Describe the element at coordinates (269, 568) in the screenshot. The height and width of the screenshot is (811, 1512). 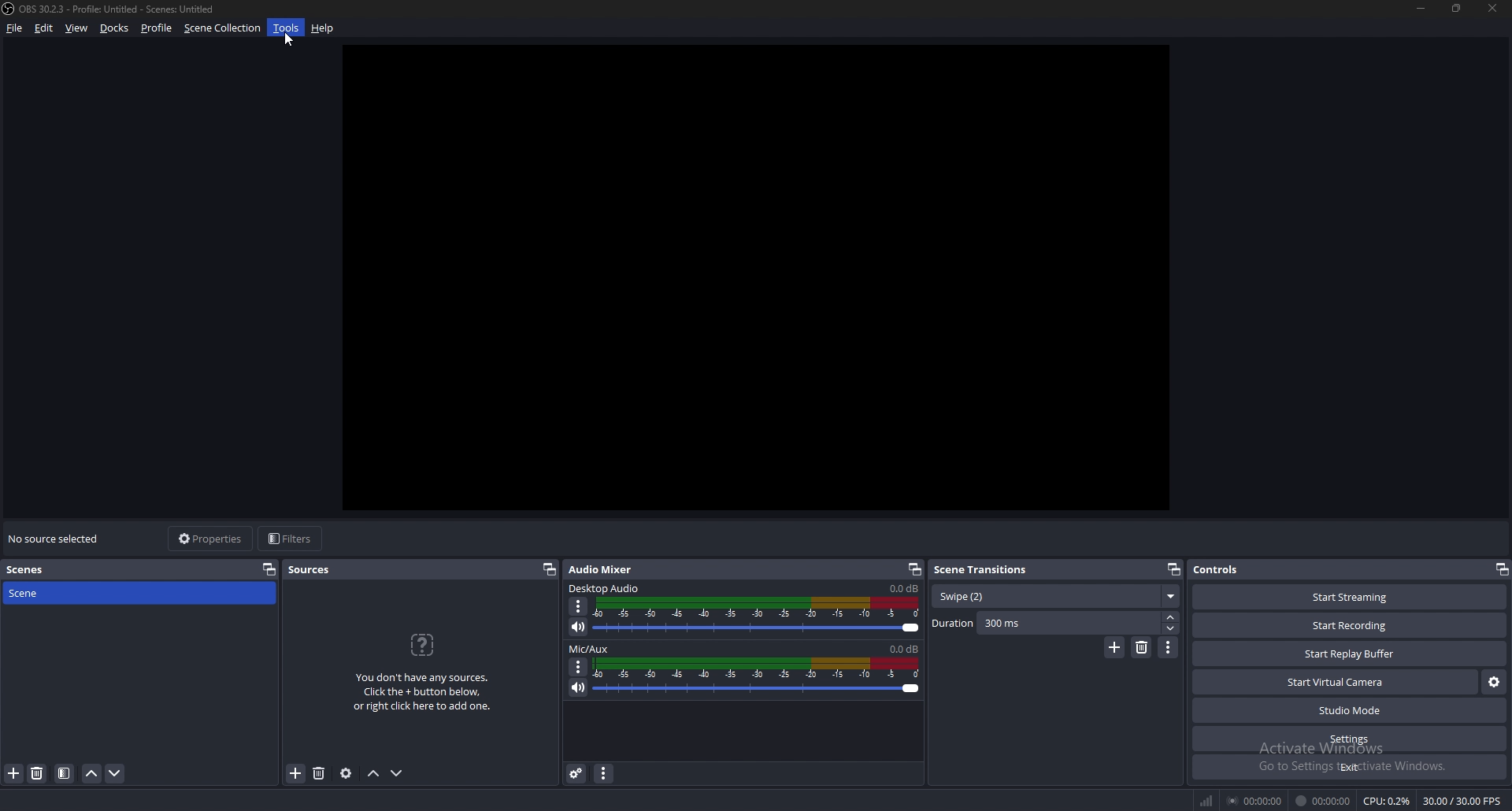
I see `pop out` at that location.